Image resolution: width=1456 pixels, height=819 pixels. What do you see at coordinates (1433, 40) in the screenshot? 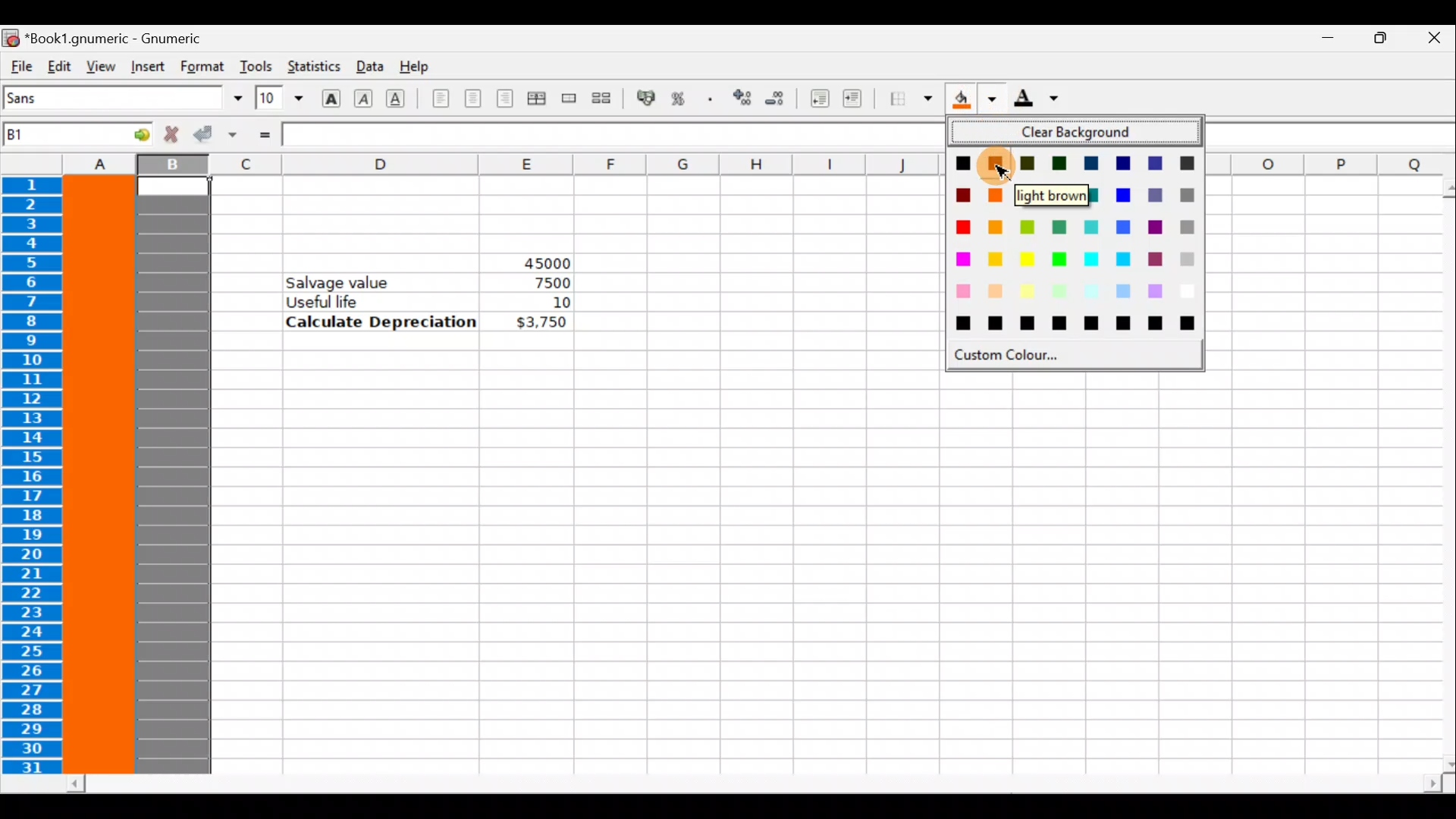
I see `Close` at bounding box center [1433, 40].